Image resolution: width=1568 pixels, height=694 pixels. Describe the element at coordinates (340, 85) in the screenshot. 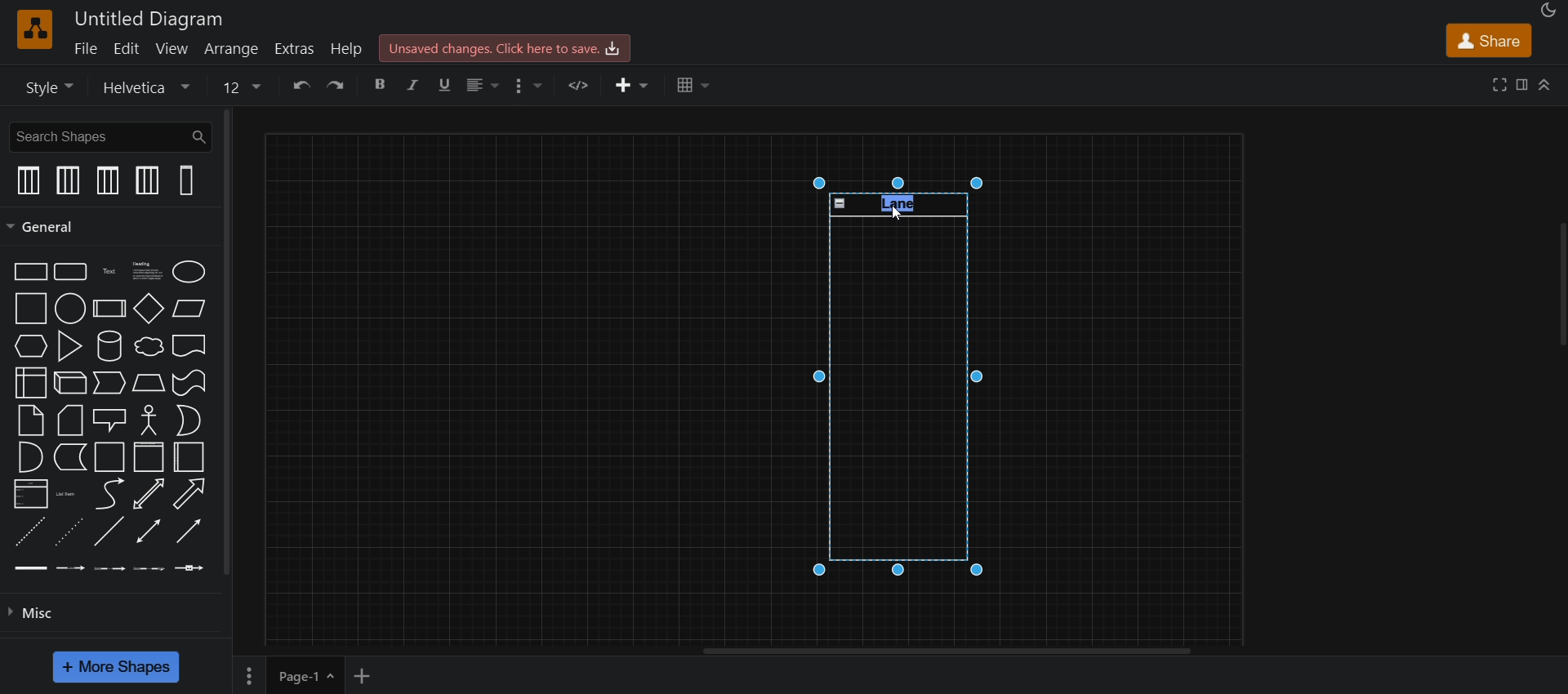

I see `redo` at that location.